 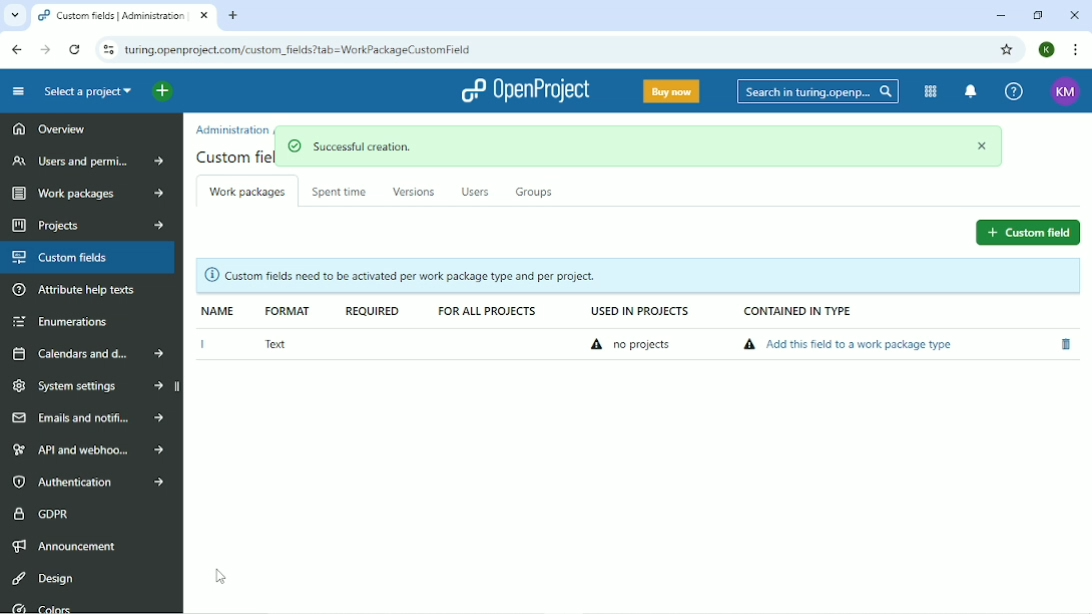 What do you see at coordinates (928, 92) in the screenshot?
I see `Modules` at bounding box center [928, 92].